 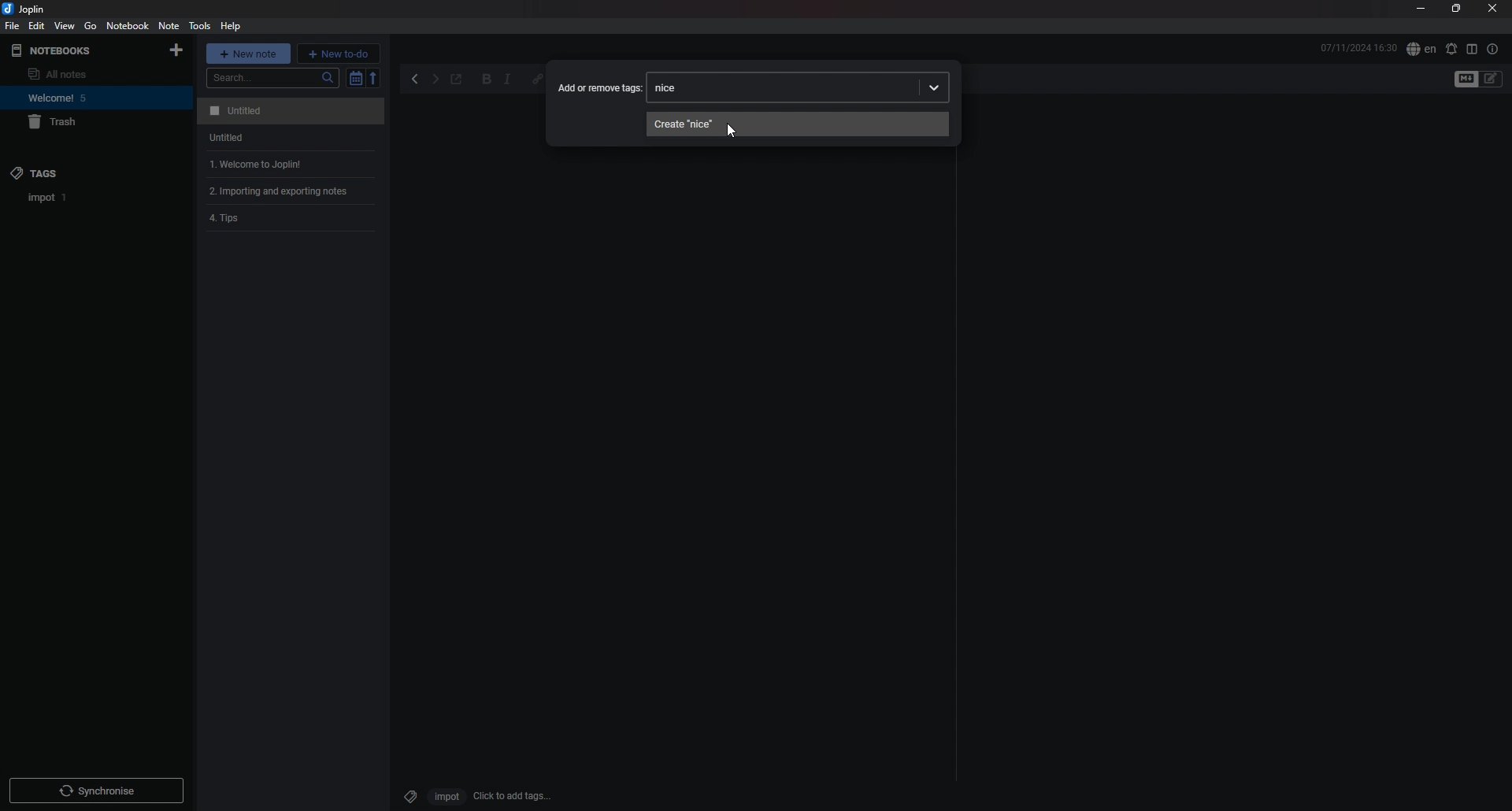 What do you see at coordinates (1451, 49) in the screenshot?
I see `spell check` at bounding box center [1451, 49].